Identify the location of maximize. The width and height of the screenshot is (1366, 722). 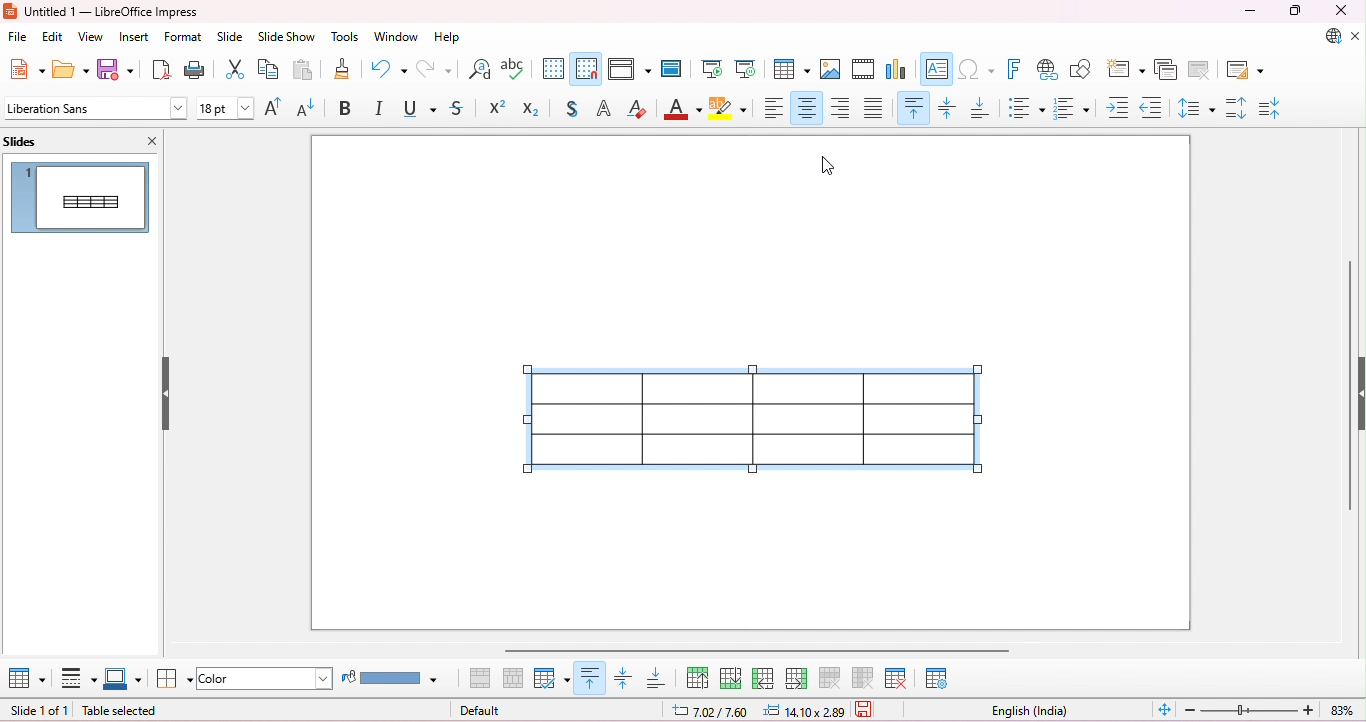
(1294, 11).